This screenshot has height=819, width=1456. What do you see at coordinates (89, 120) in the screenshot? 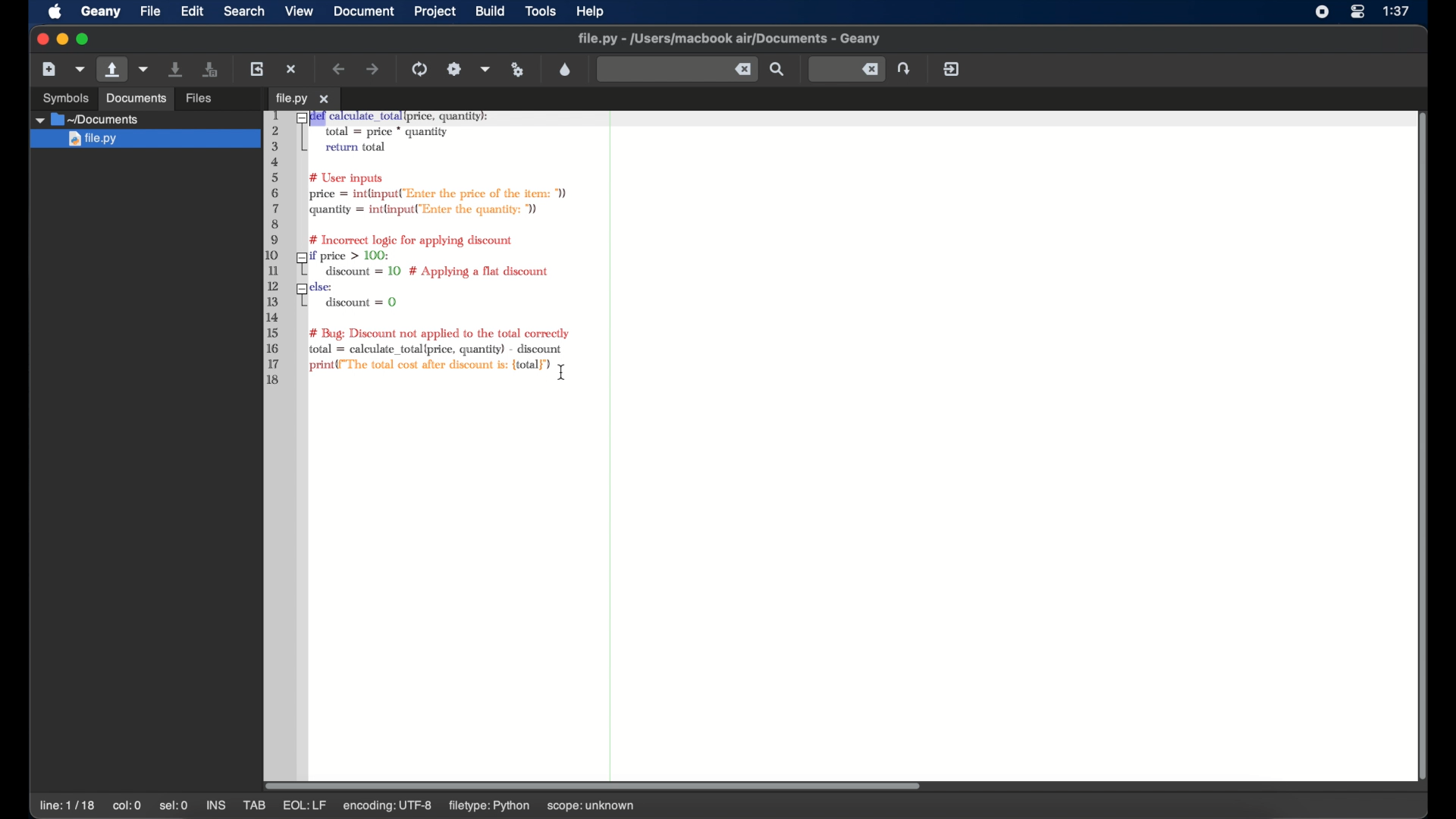
I see `documents` at bounding box center [89, 120].